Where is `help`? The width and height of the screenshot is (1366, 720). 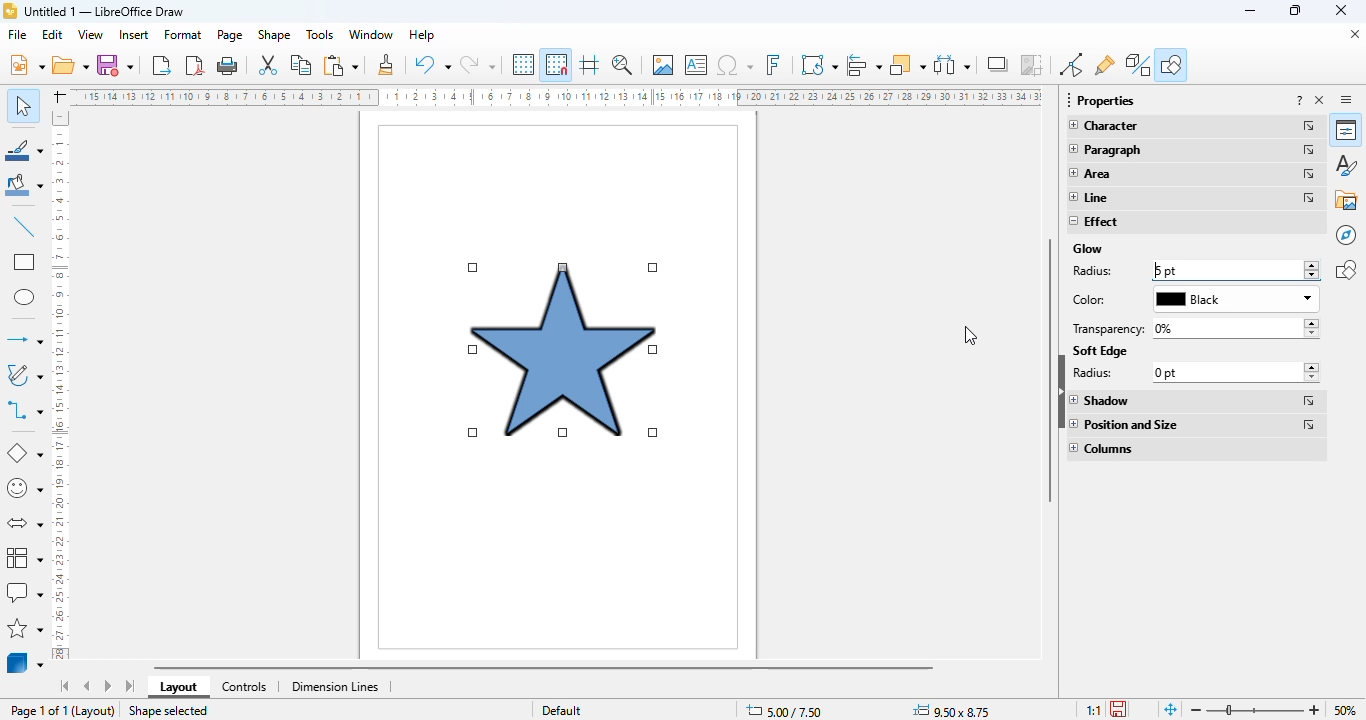
help is located at coordinates (423, 35).